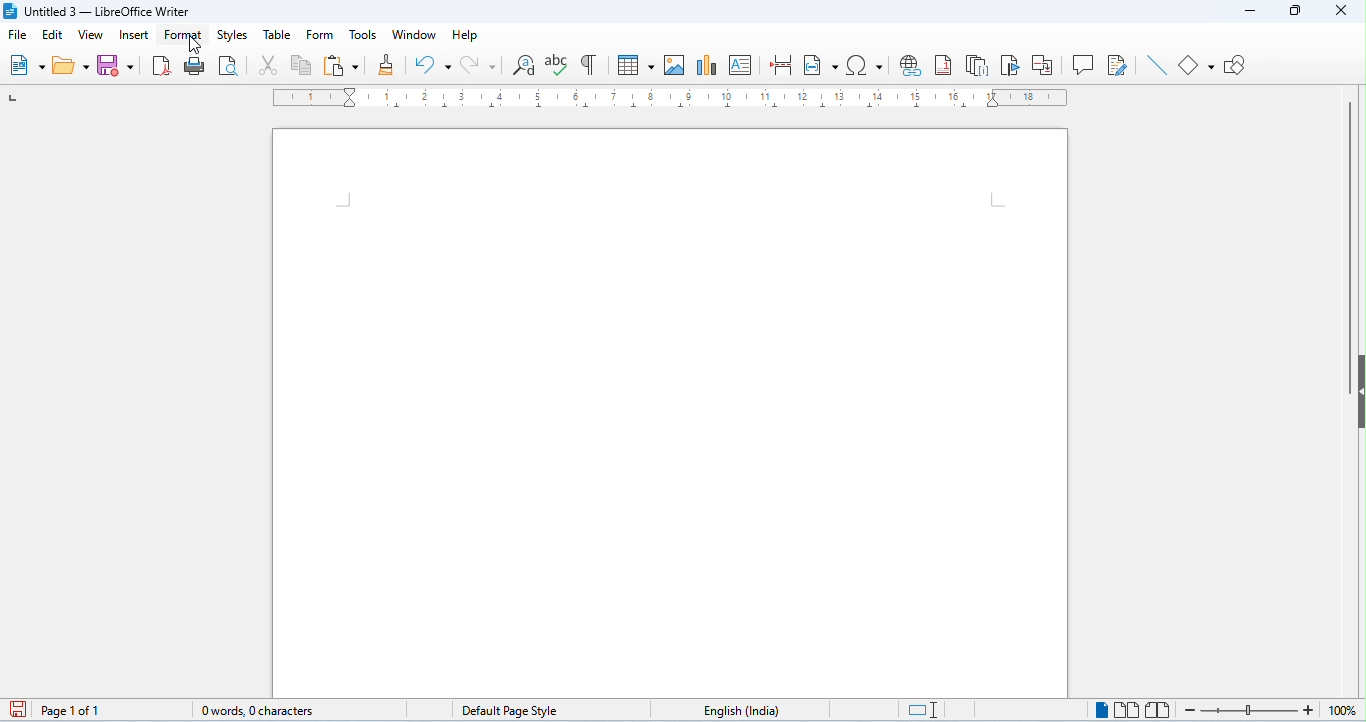  Describe the element at coordinates (677, 65) in the screenshot. I see `insert image` at that location.